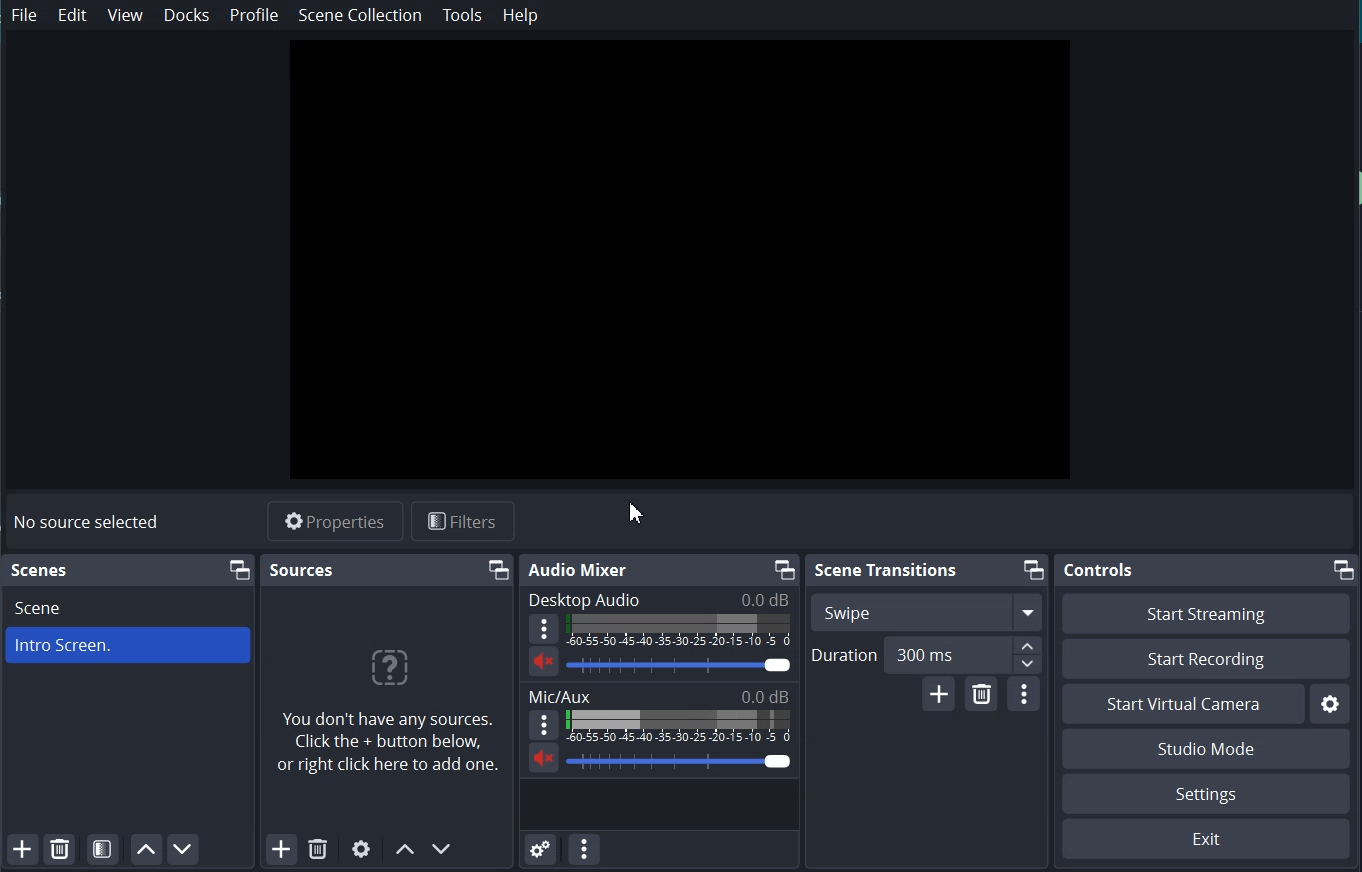 The width and height of the screenshot is (1362, 872). What do you see at coordinates (660, 695) in the screenshot?
I see `Text` at bounding box center [660, 695].